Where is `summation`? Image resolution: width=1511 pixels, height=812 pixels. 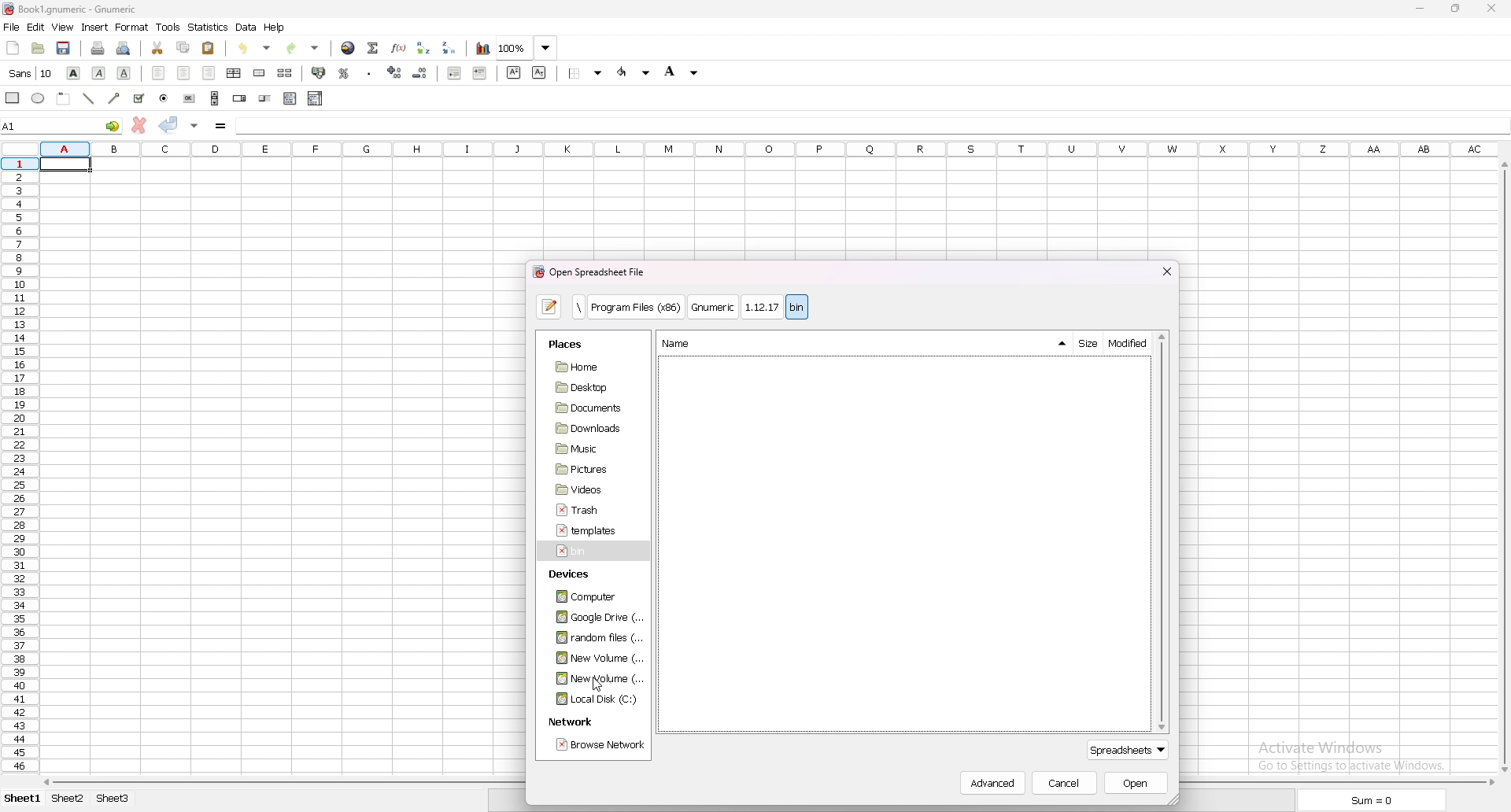 summation is located at coordinates (374, 46).